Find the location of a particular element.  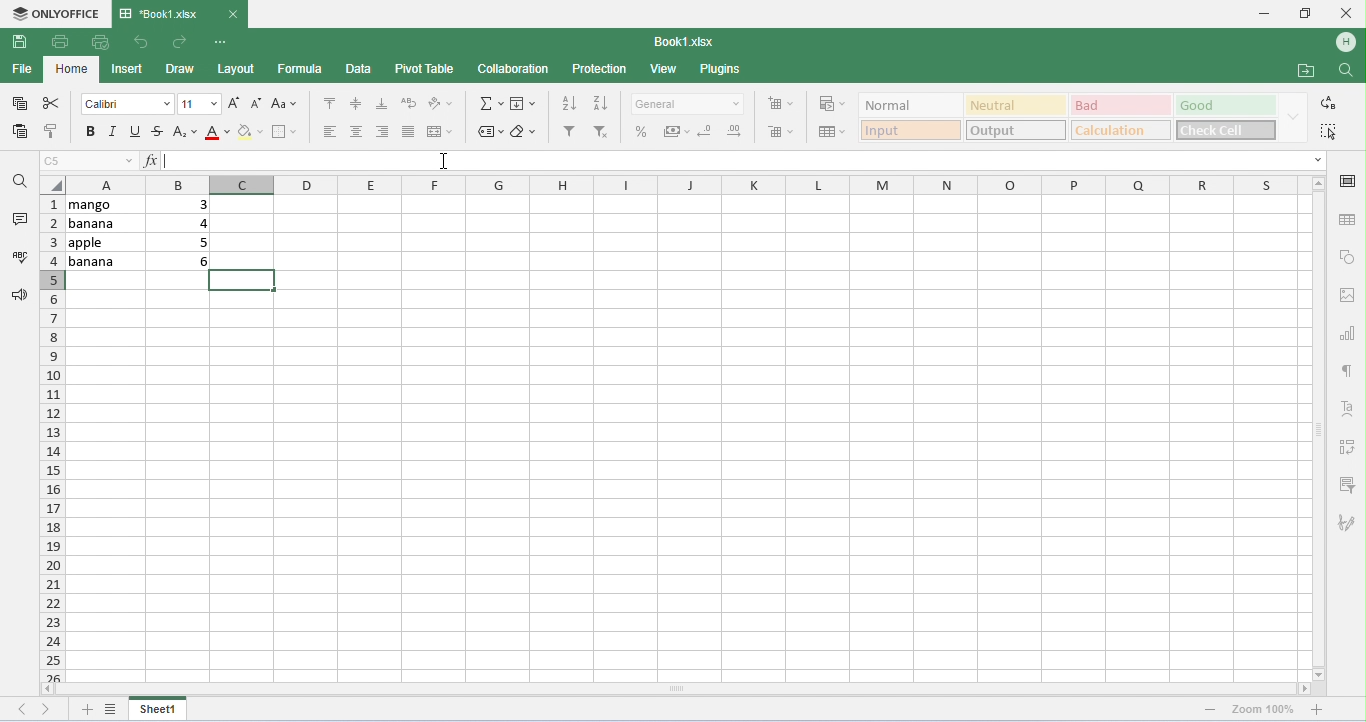

horizontal scroll bar is located at coordinates (674, 688).